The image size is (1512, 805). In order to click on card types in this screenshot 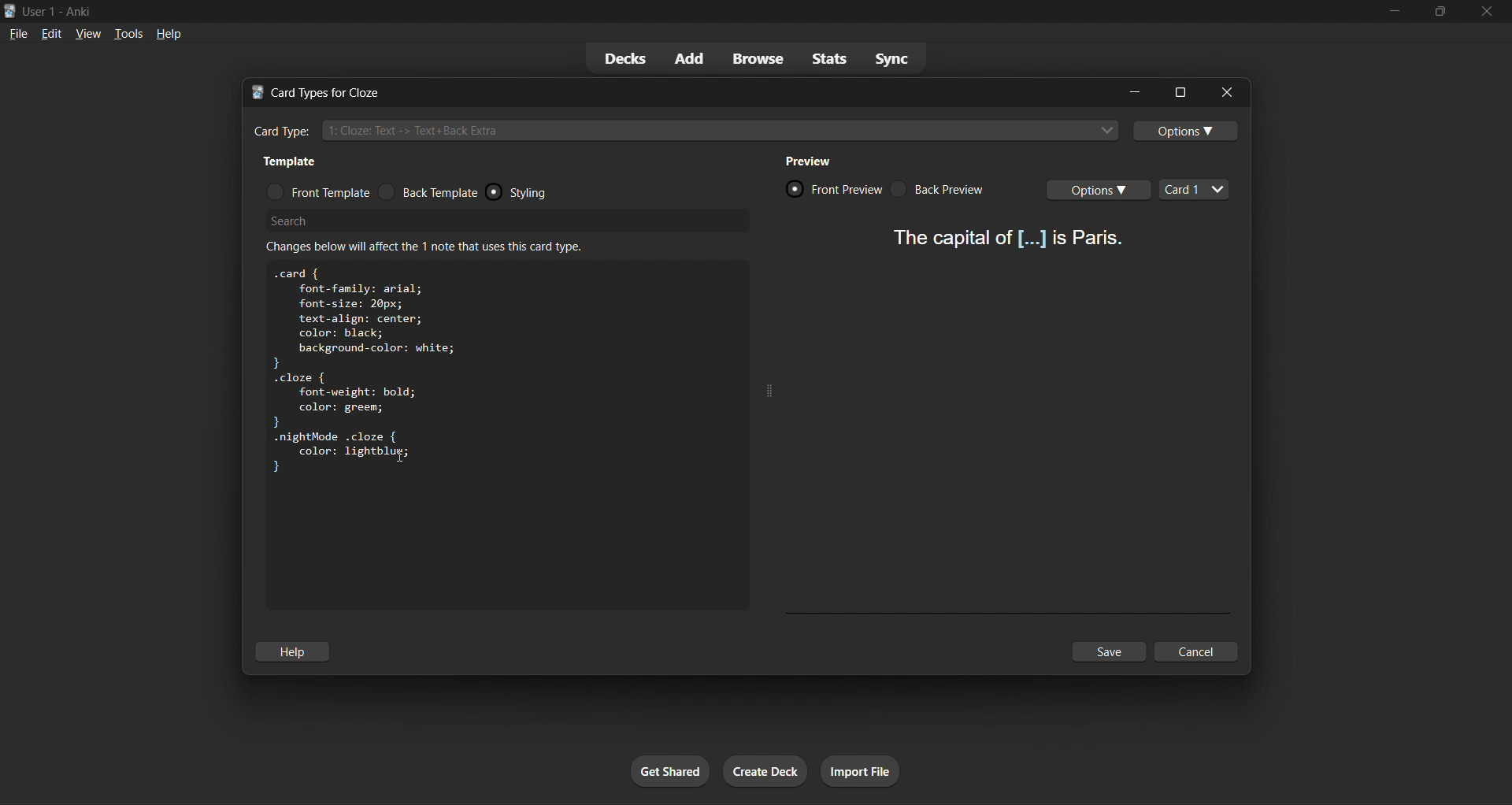, I will do `click(1194, 188)`.